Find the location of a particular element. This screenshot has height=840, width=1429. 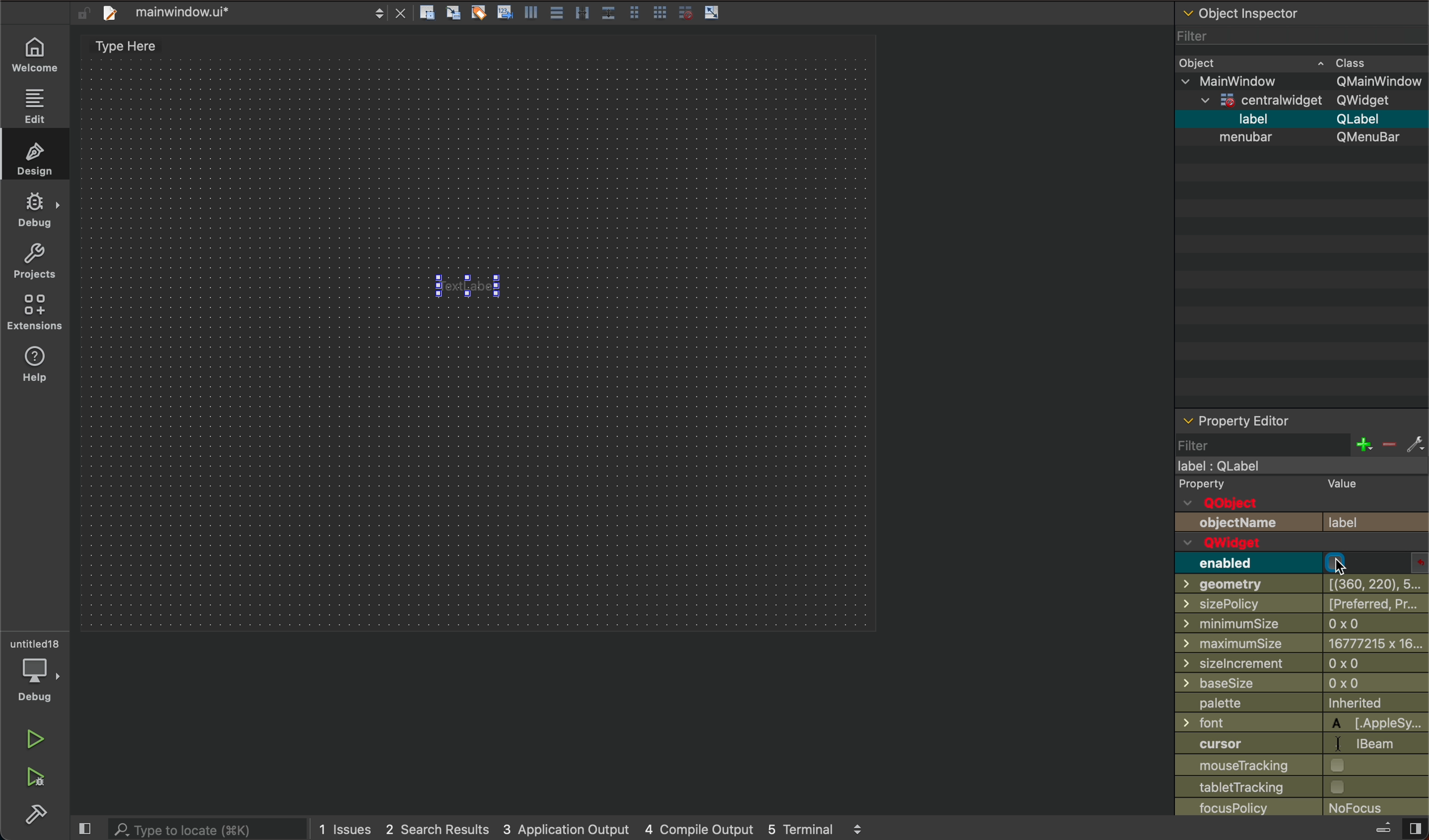

run is located at coordinates (35, 736).